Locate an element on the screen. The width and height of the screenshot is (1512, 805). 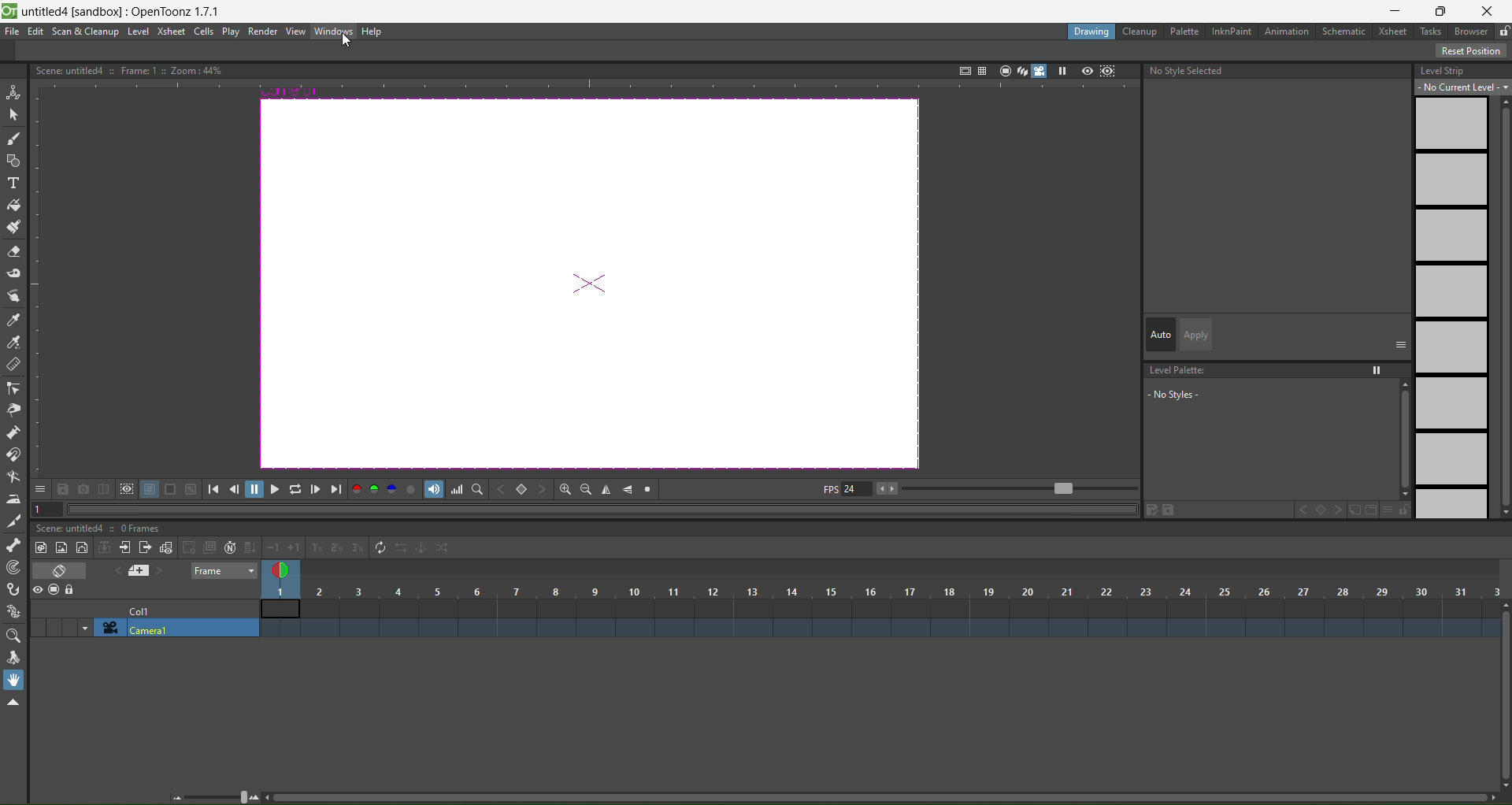
random is located at coordinates (444, 548).